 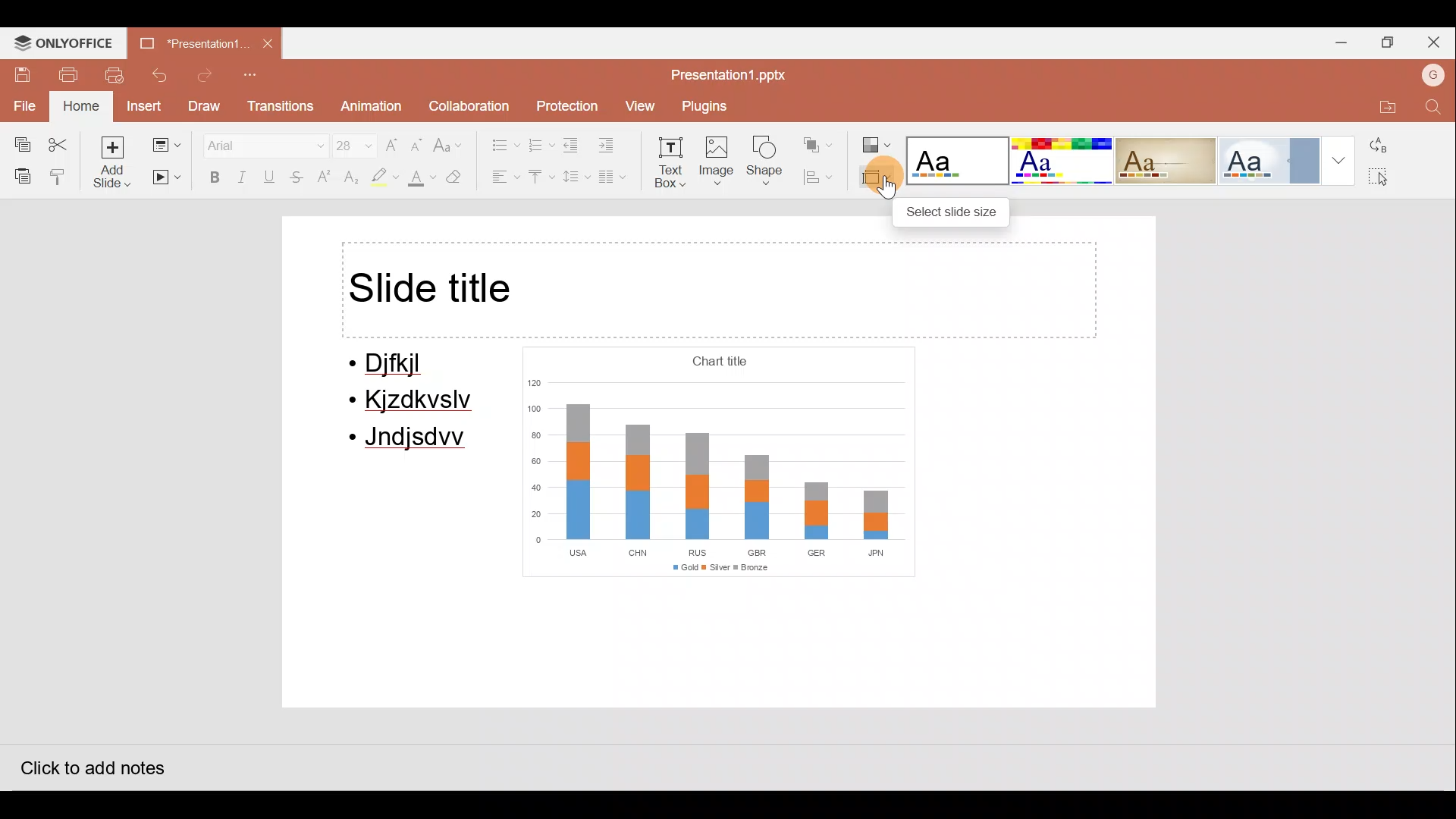 I want to click on Transitions, so click(x=279, y=107).